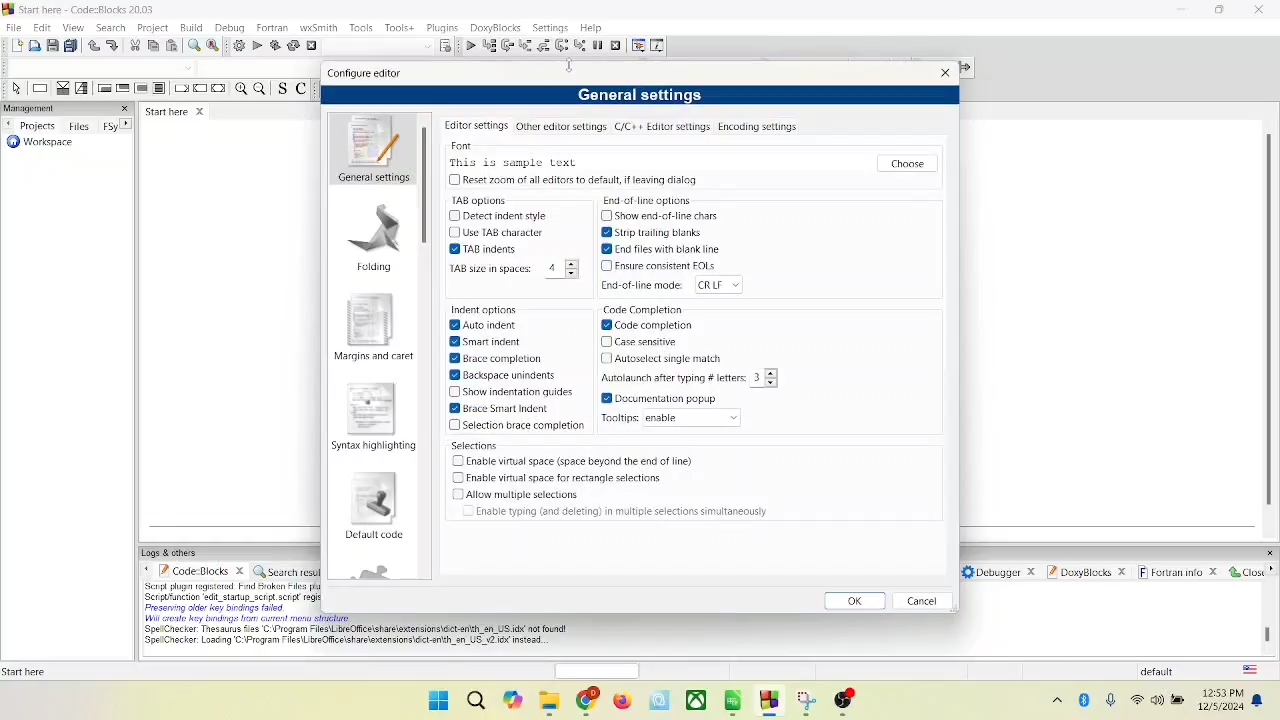 The image size is (1280, 720). What do you see at coordinates (402, 27) in the screenshot?
I see `tools` at bounding box center [402, 27].